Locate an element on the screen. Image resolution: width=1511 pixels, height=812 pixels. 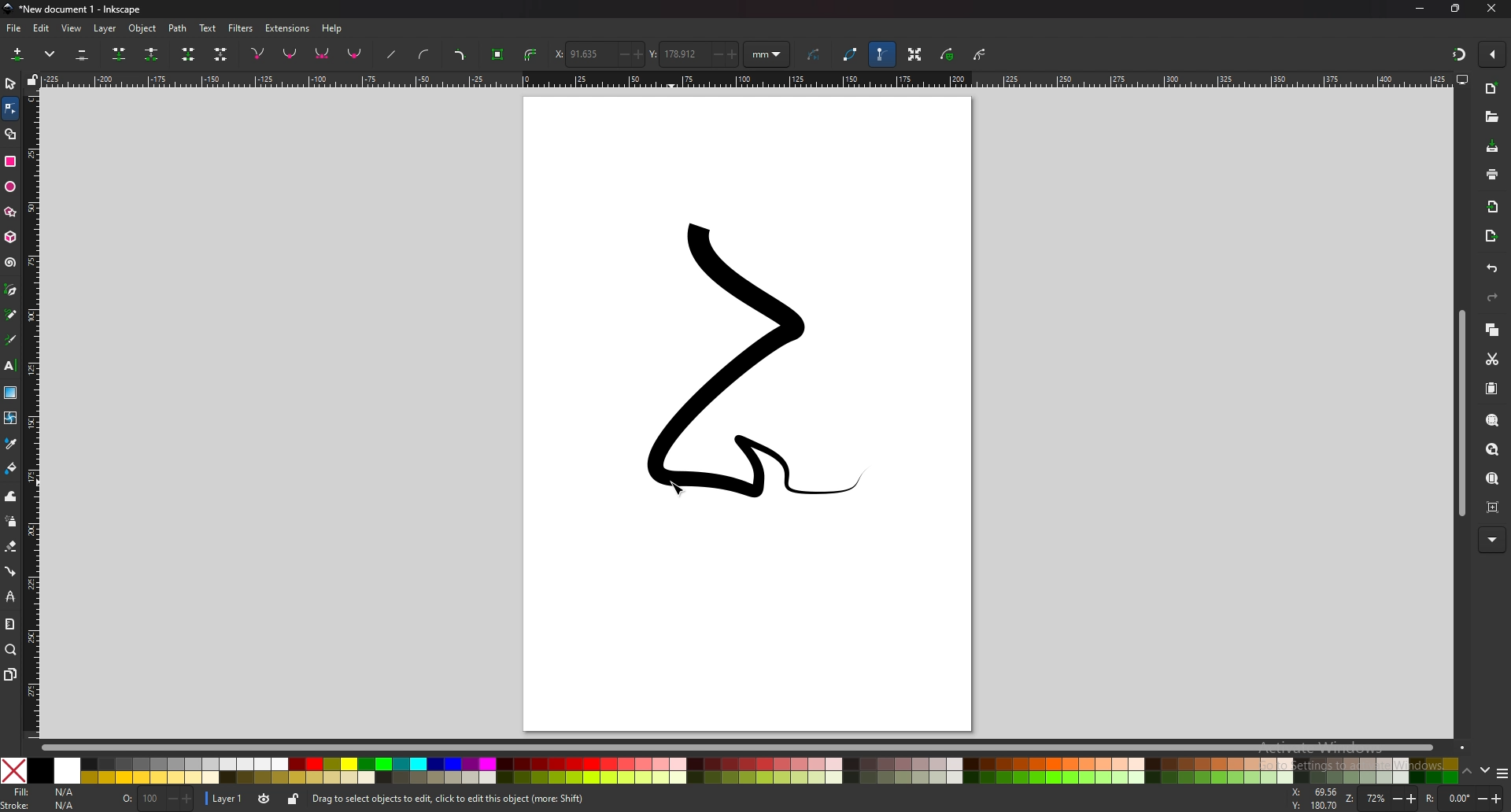
edit is located at coordinates (43, 28).